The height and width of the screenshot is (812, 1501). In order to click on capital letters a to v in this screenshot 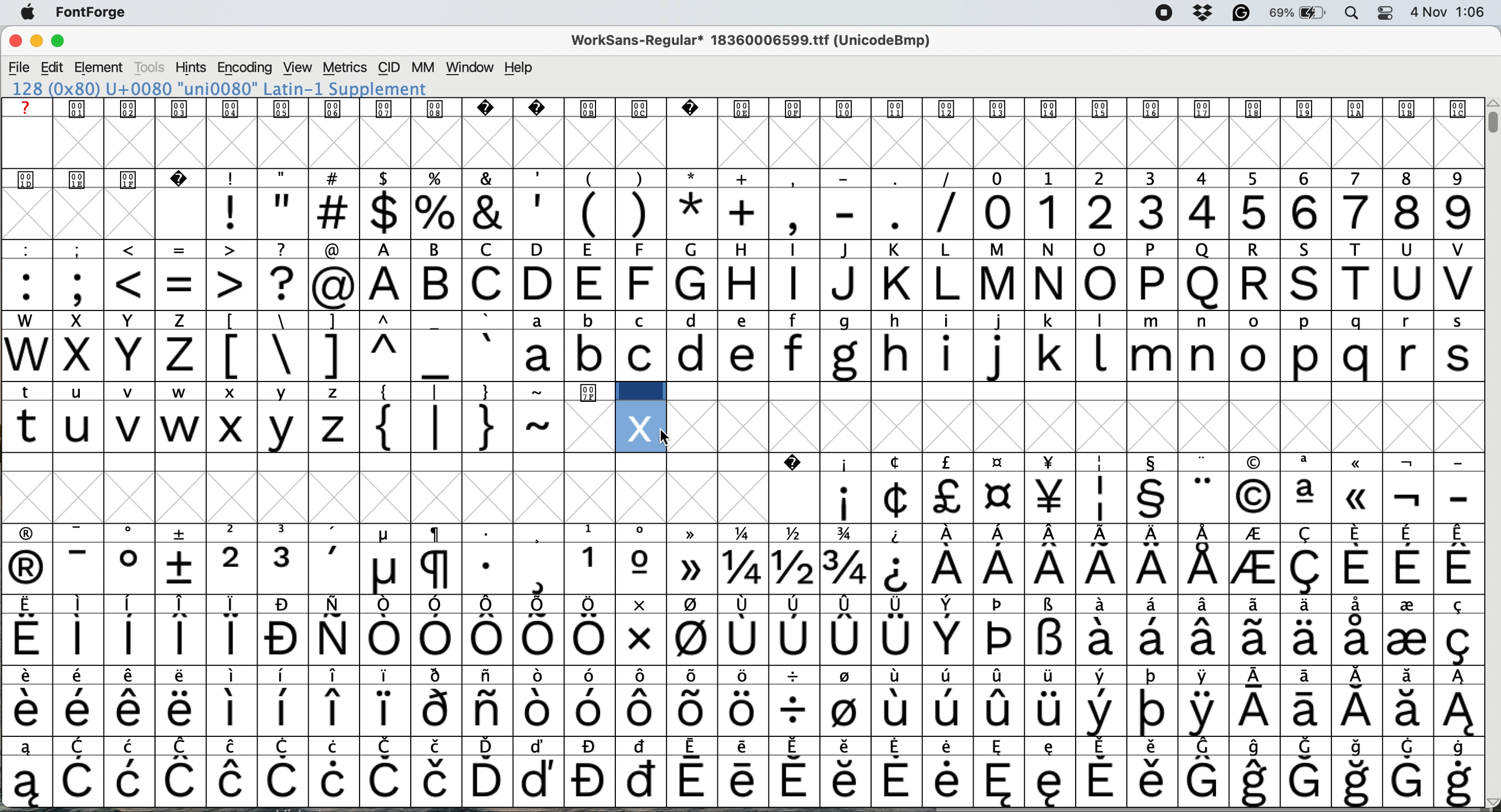, I will do `click(918, 286)`.